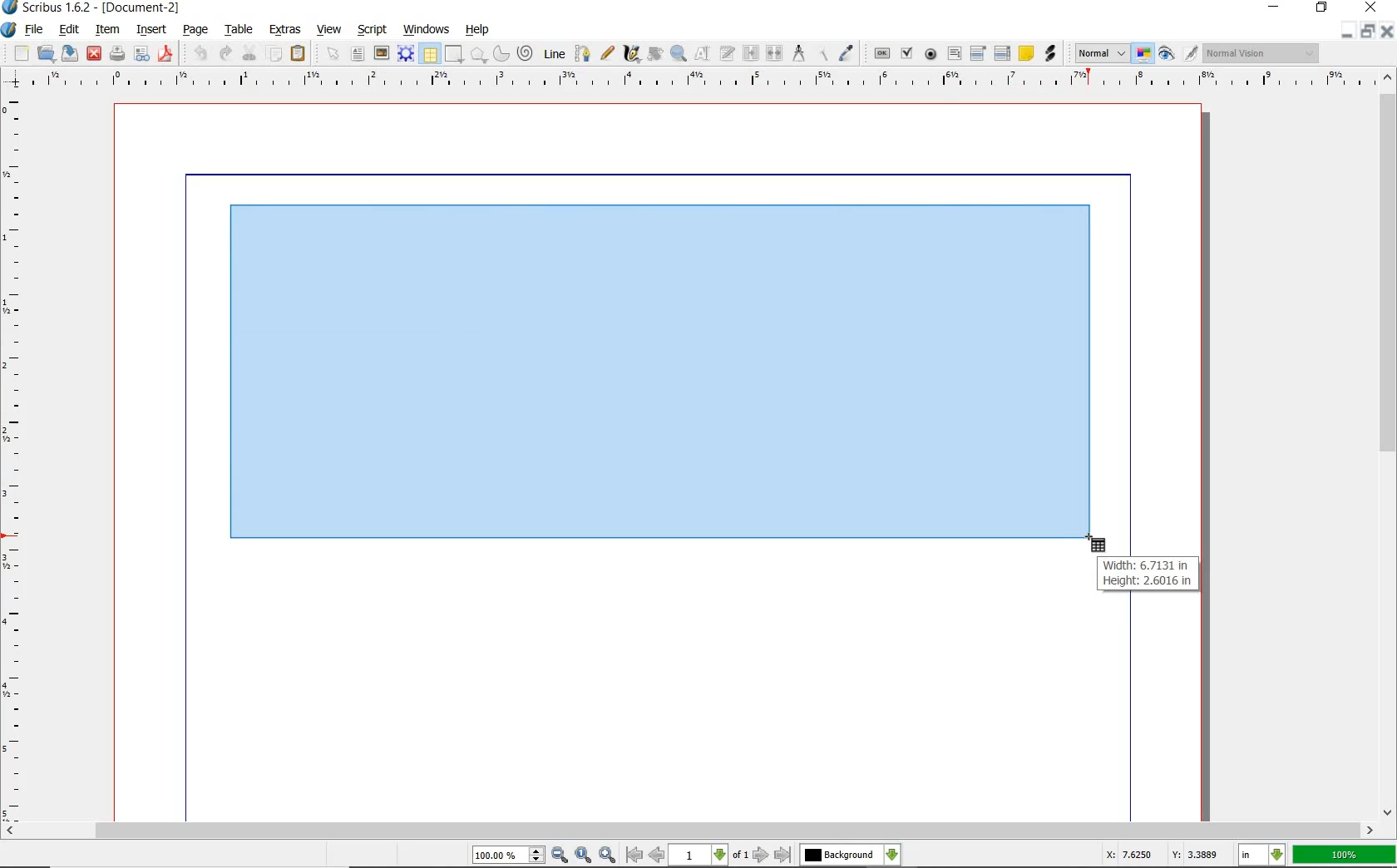  Describe the element at coordinates (1389, 32) in the screenshot. I see `close` at that location.